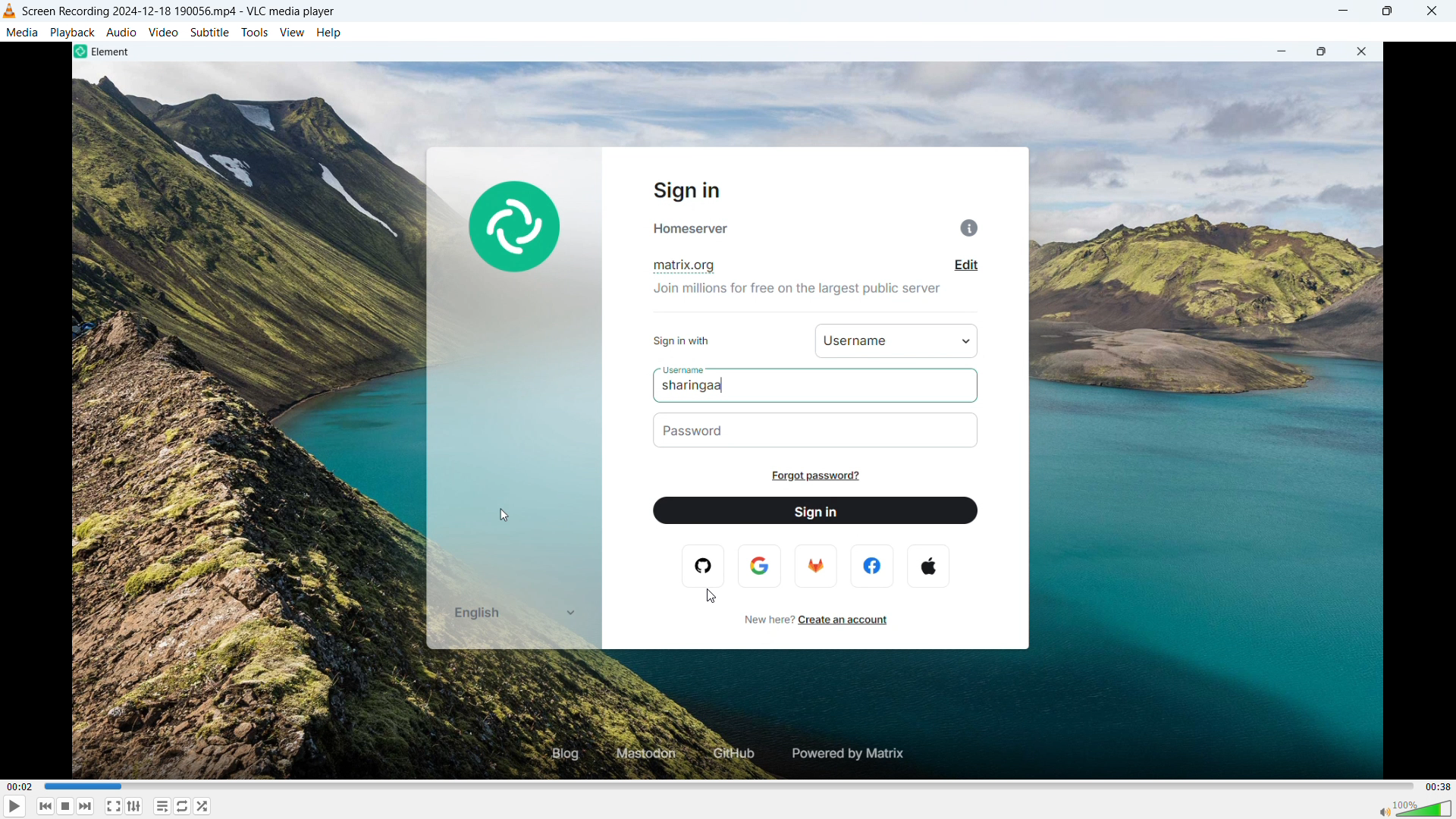 This screenshot has height=819, width=1456. I want to click on toggle playlist, so click(162, 805).